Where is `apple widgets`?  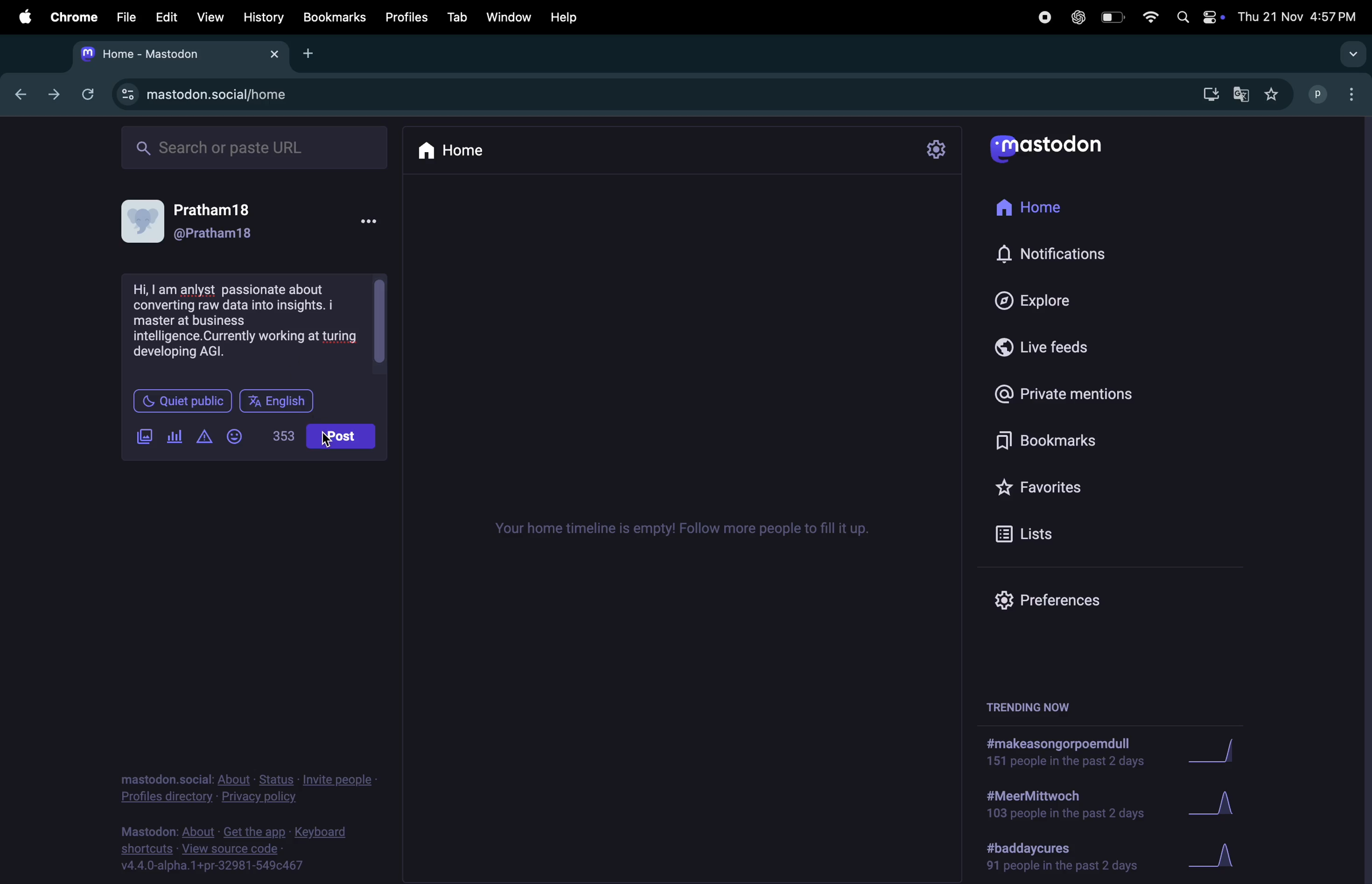 apple widgets is located at coordinates (1213, 17).